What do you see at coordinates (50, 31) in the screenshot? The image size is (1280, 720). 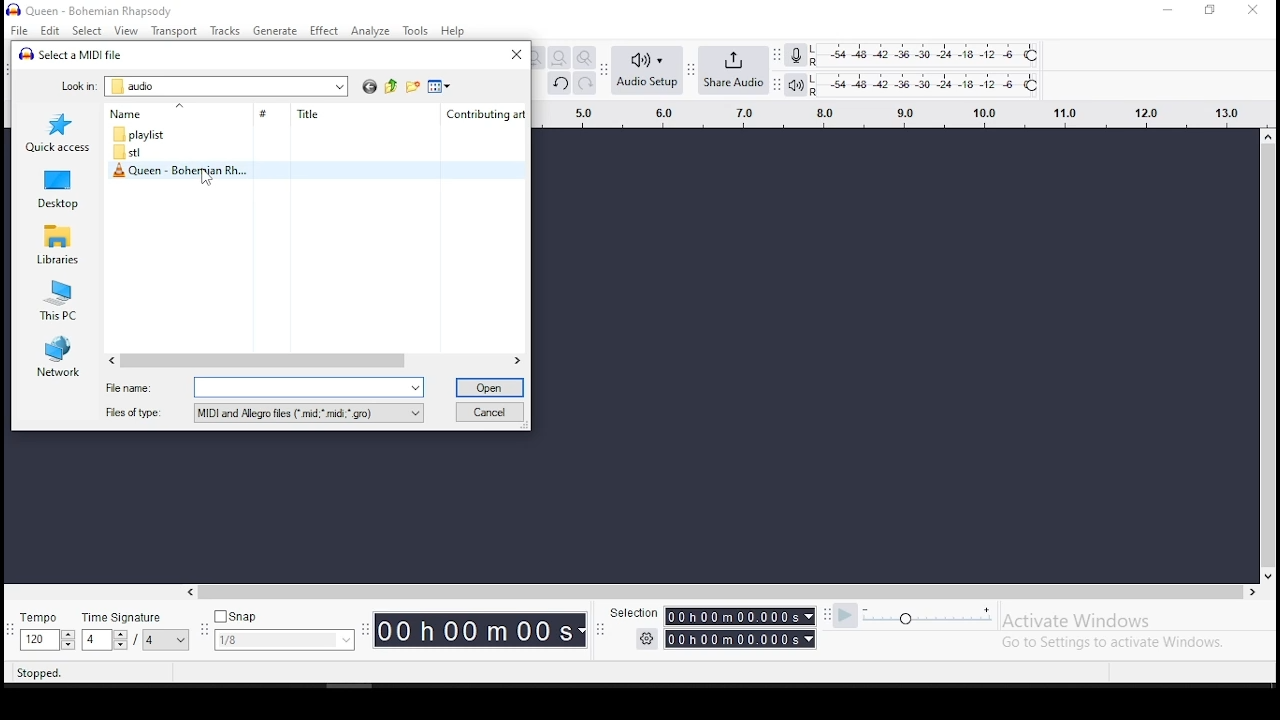 I see `edit` at bounding box center [50, 31].